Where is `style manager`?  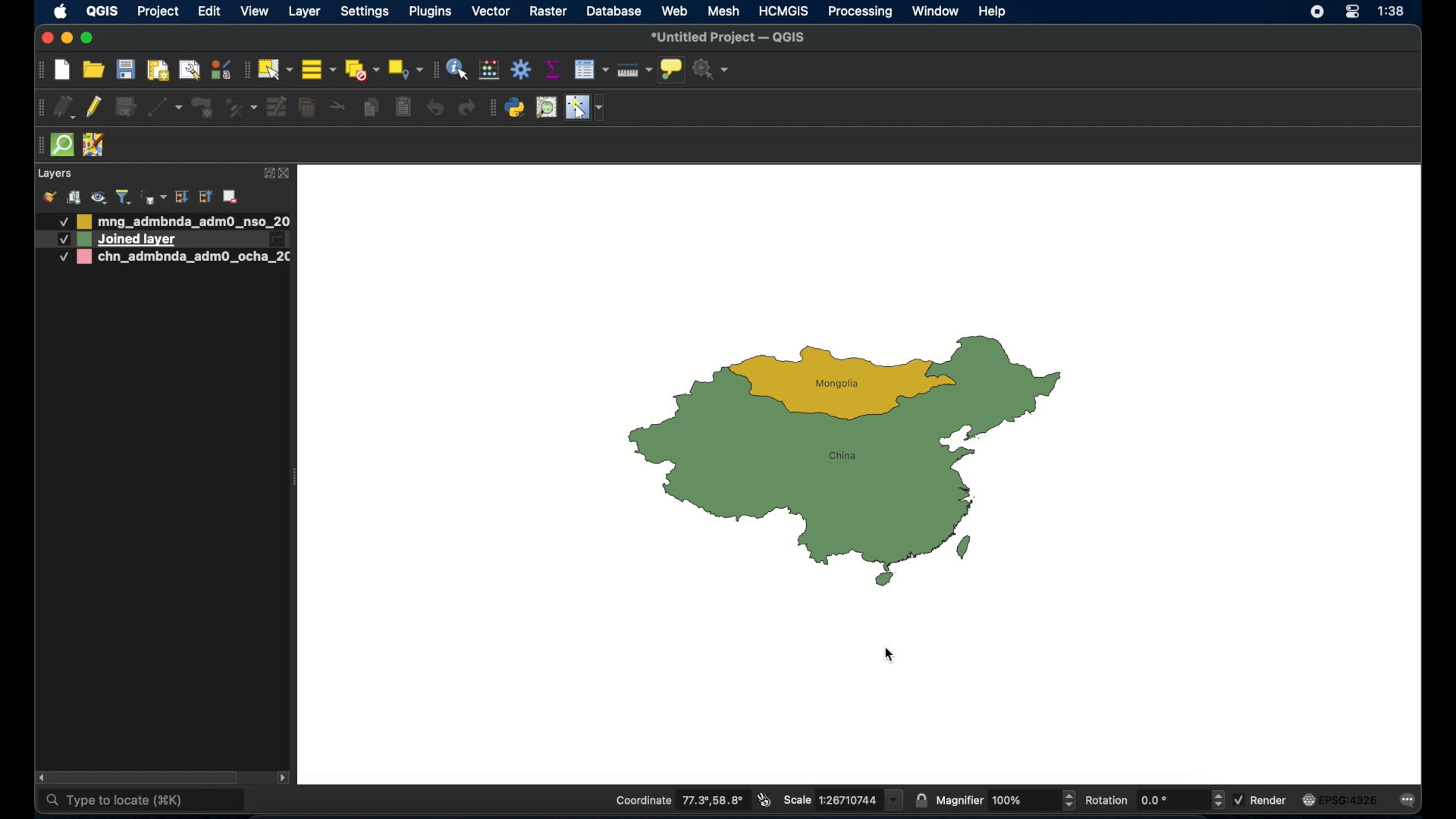
style manager is located at coordinates (220, 69).